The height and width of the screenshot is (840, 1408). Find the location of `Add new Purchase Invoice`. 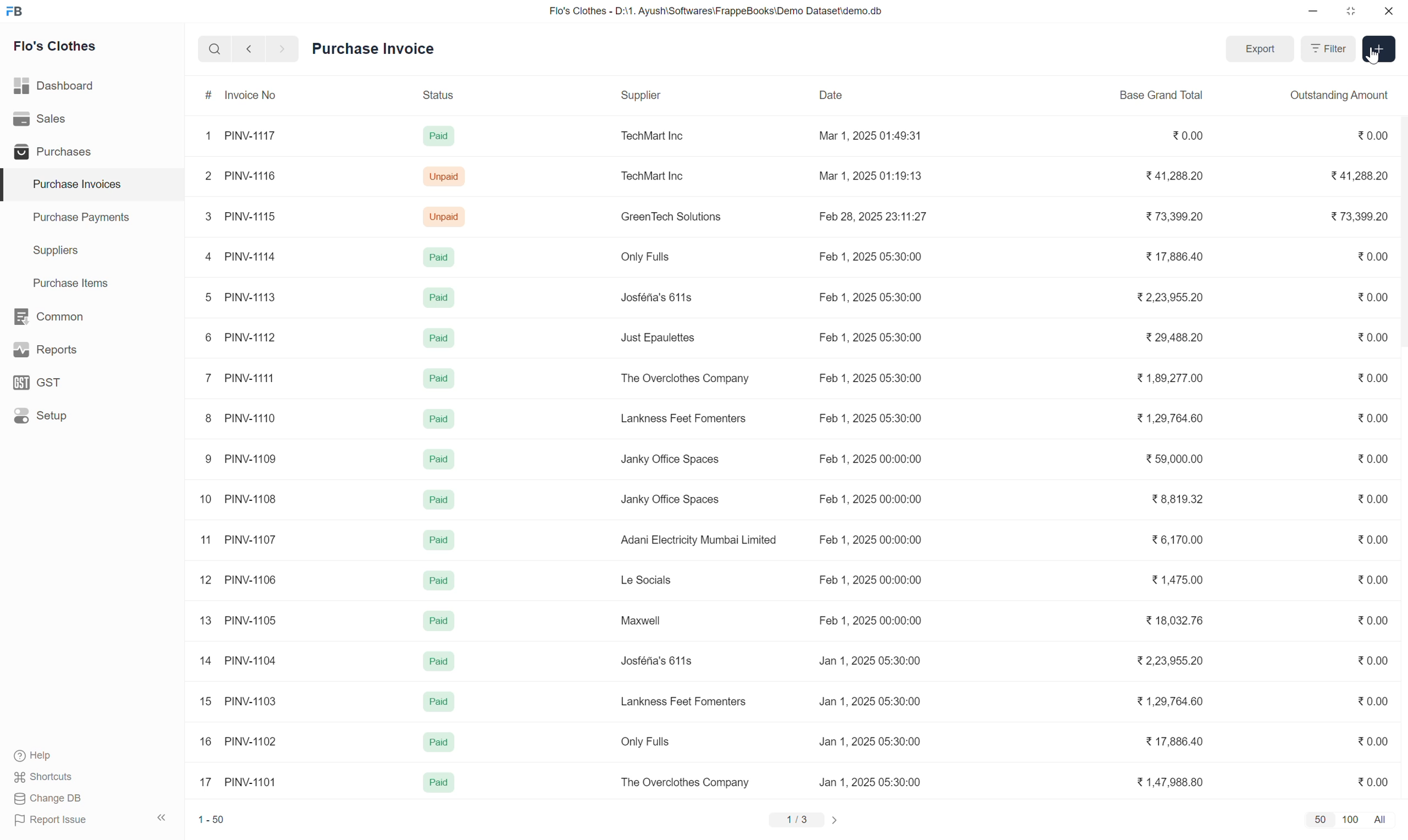

Add new Purchase Invoice is located at coordinates (1380, 49).